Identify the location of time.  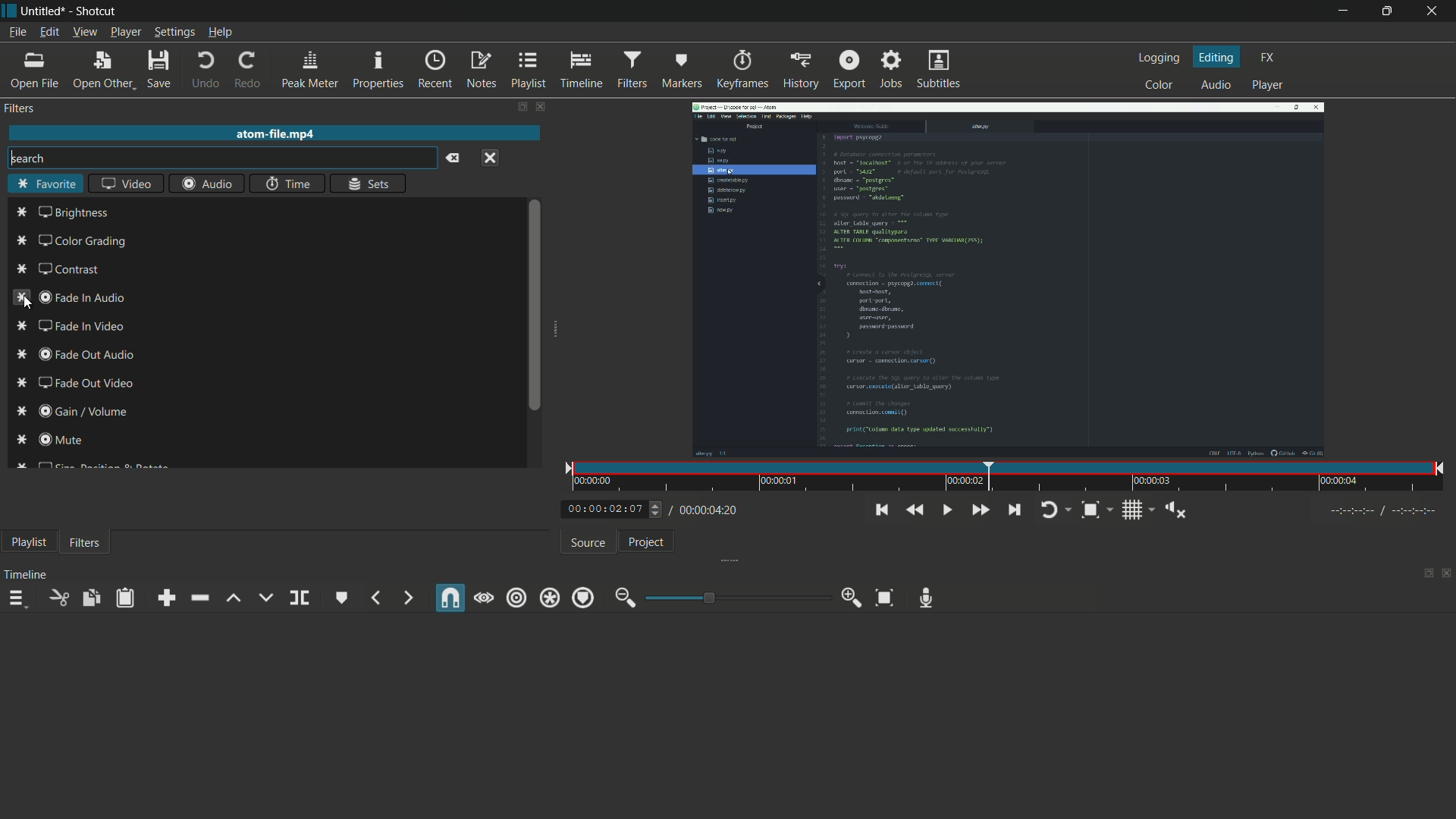
(287, 184).